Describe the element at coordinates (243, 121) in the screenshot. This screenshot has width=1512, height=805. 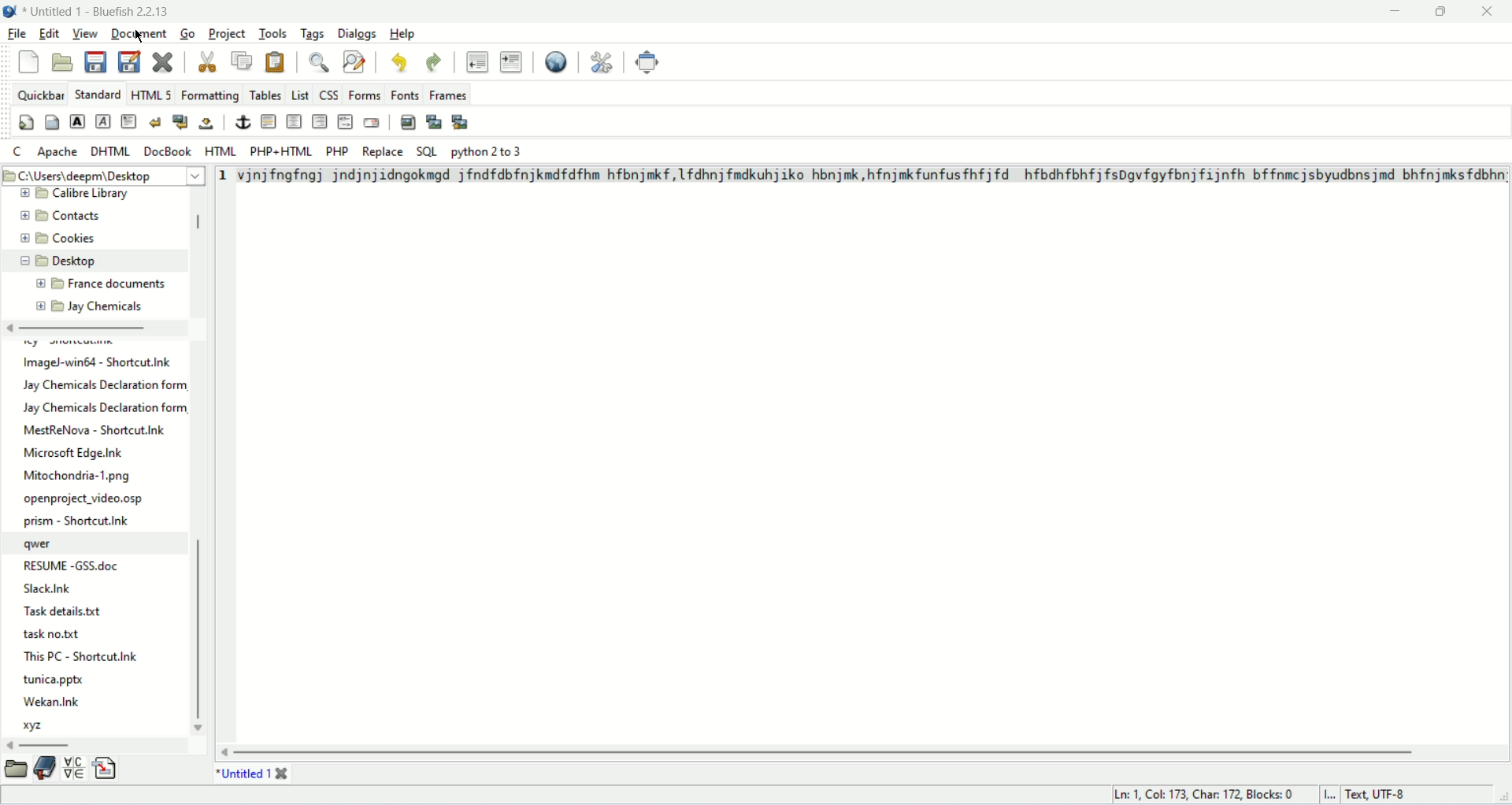
I see `anchor` at that location.